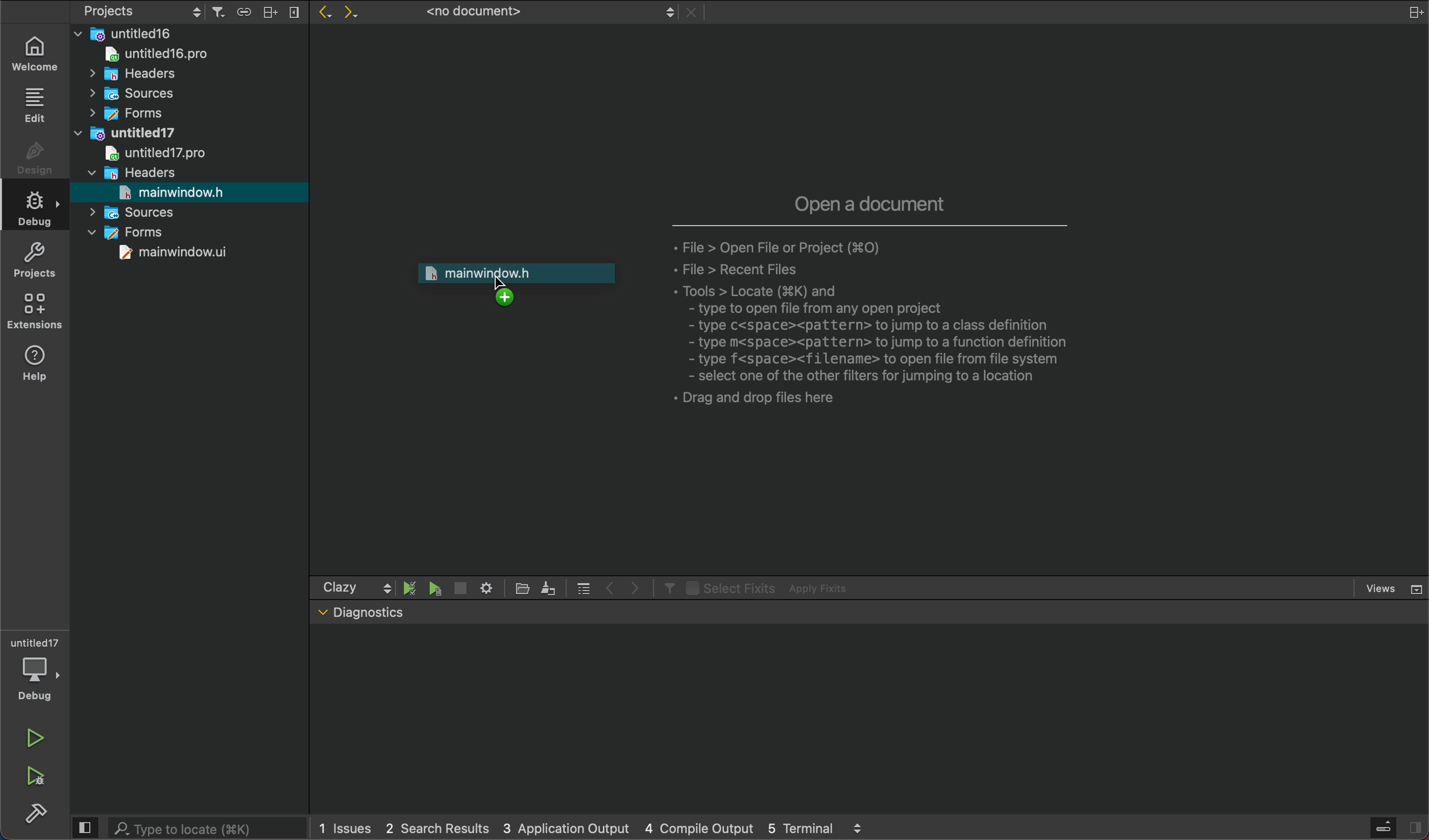  I want to click on Arrange, so click(267, 11).